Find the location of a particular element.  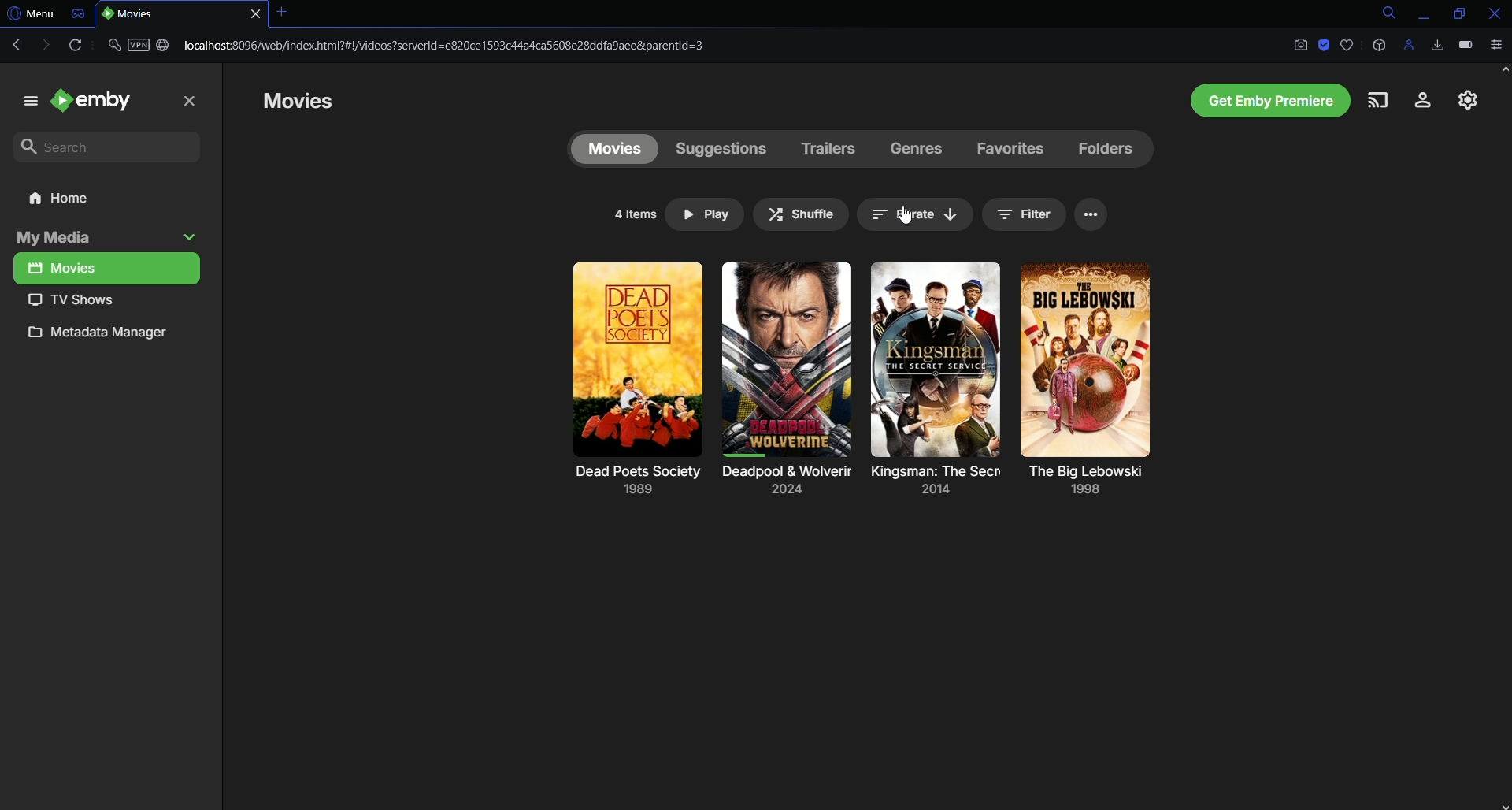

Minimize is located at coordinates (1421, 13).